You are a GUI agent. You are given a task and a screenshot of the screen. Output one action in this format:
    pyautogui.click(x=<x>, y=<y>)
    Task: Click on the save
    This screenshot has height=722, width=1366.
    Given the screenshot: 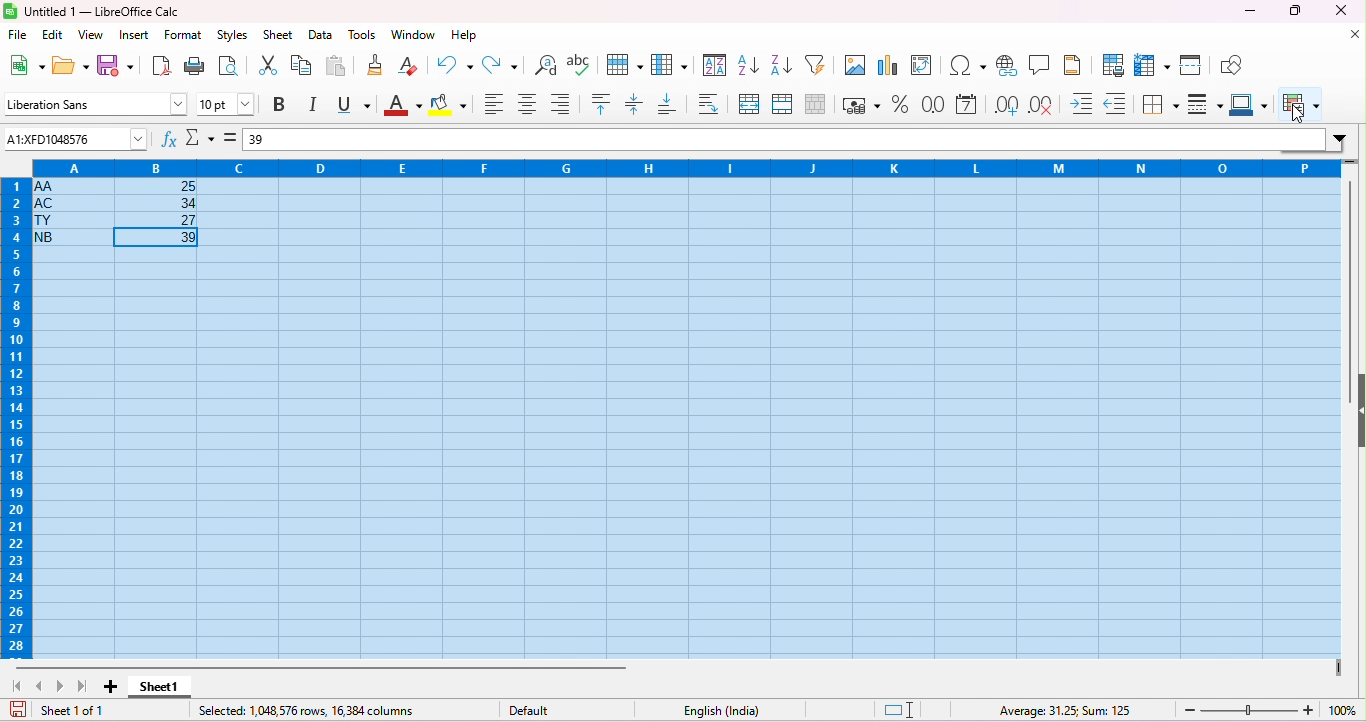 What is the action you would take?
    pyautogui.click(x=116, y=64)
    